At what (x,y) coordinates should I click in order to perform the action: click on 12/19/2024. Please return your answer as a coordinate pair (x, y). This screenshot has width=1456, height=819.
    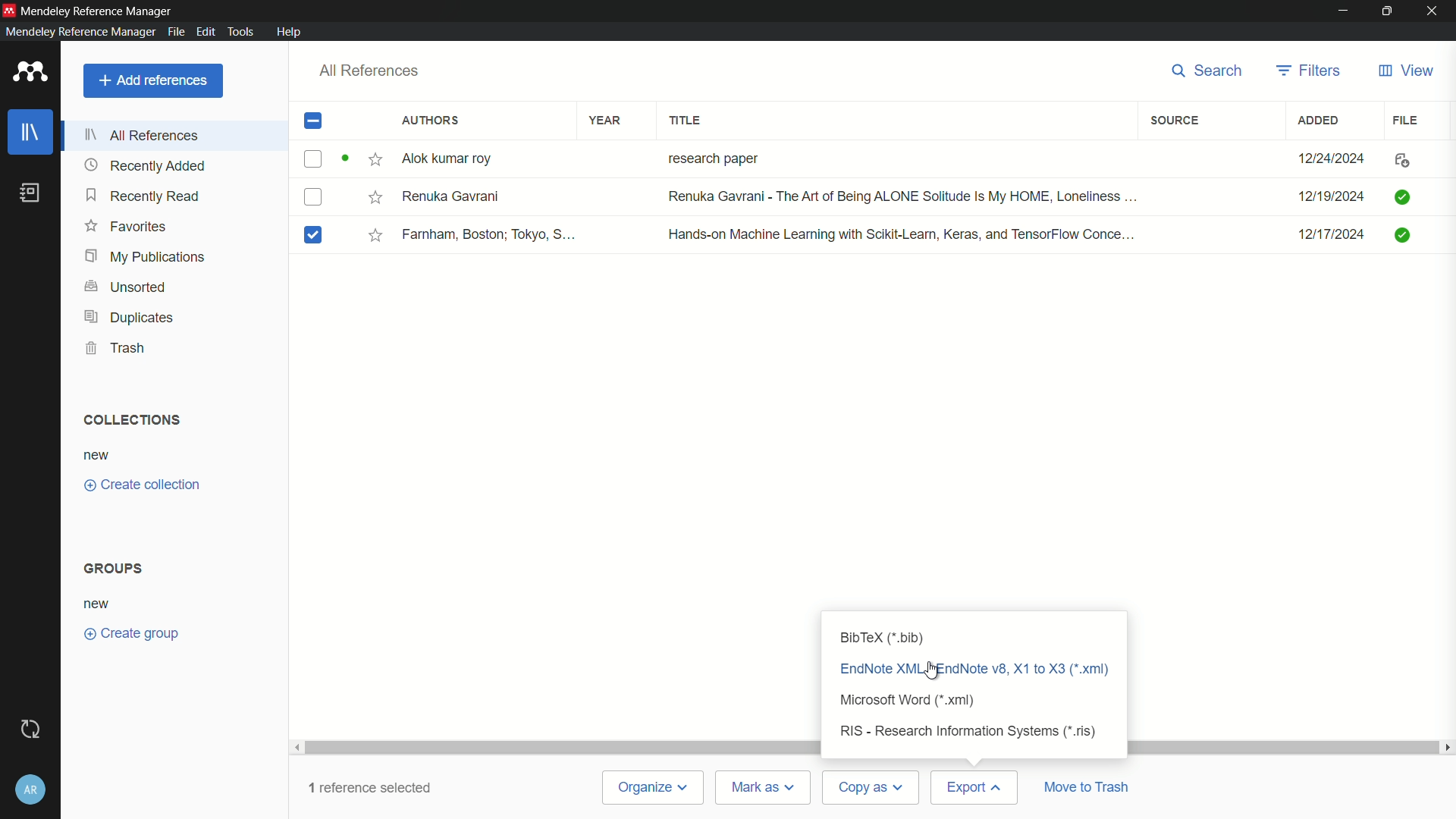
    Looking at the image, I should click on (1330, 198).